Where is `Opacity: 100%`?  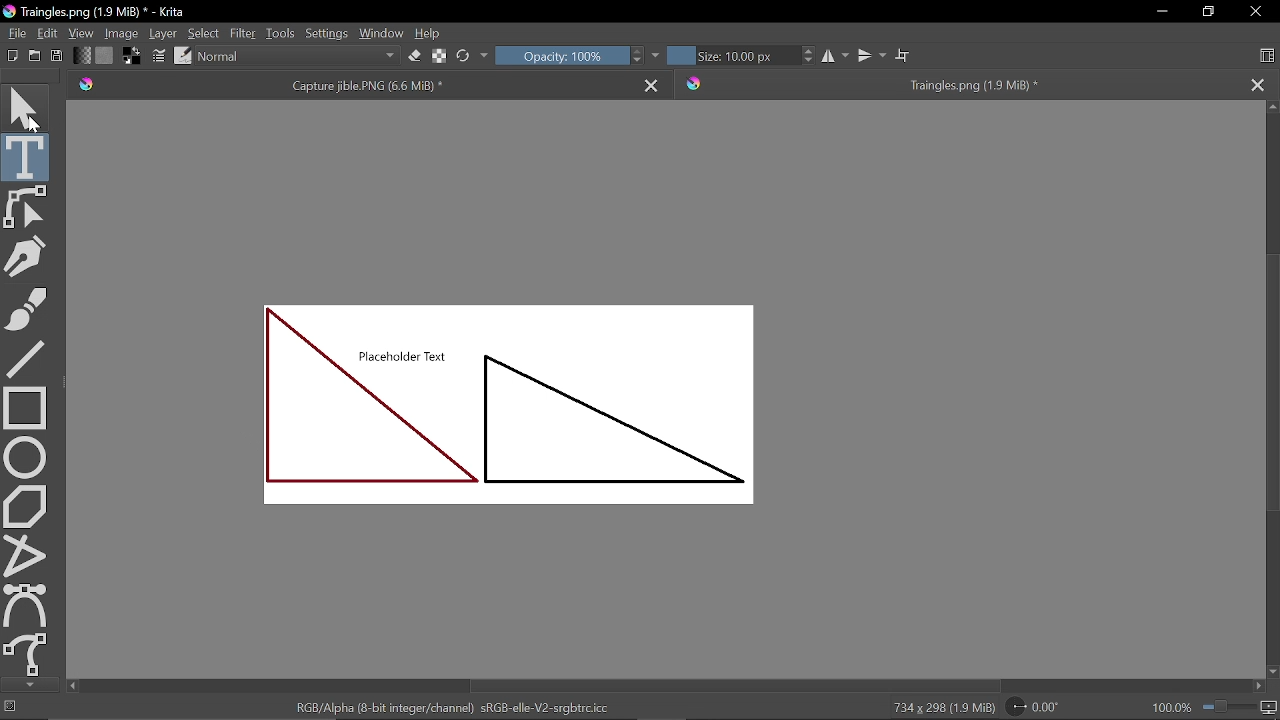
Opacity: 100% is located at coordinates (560, 56).